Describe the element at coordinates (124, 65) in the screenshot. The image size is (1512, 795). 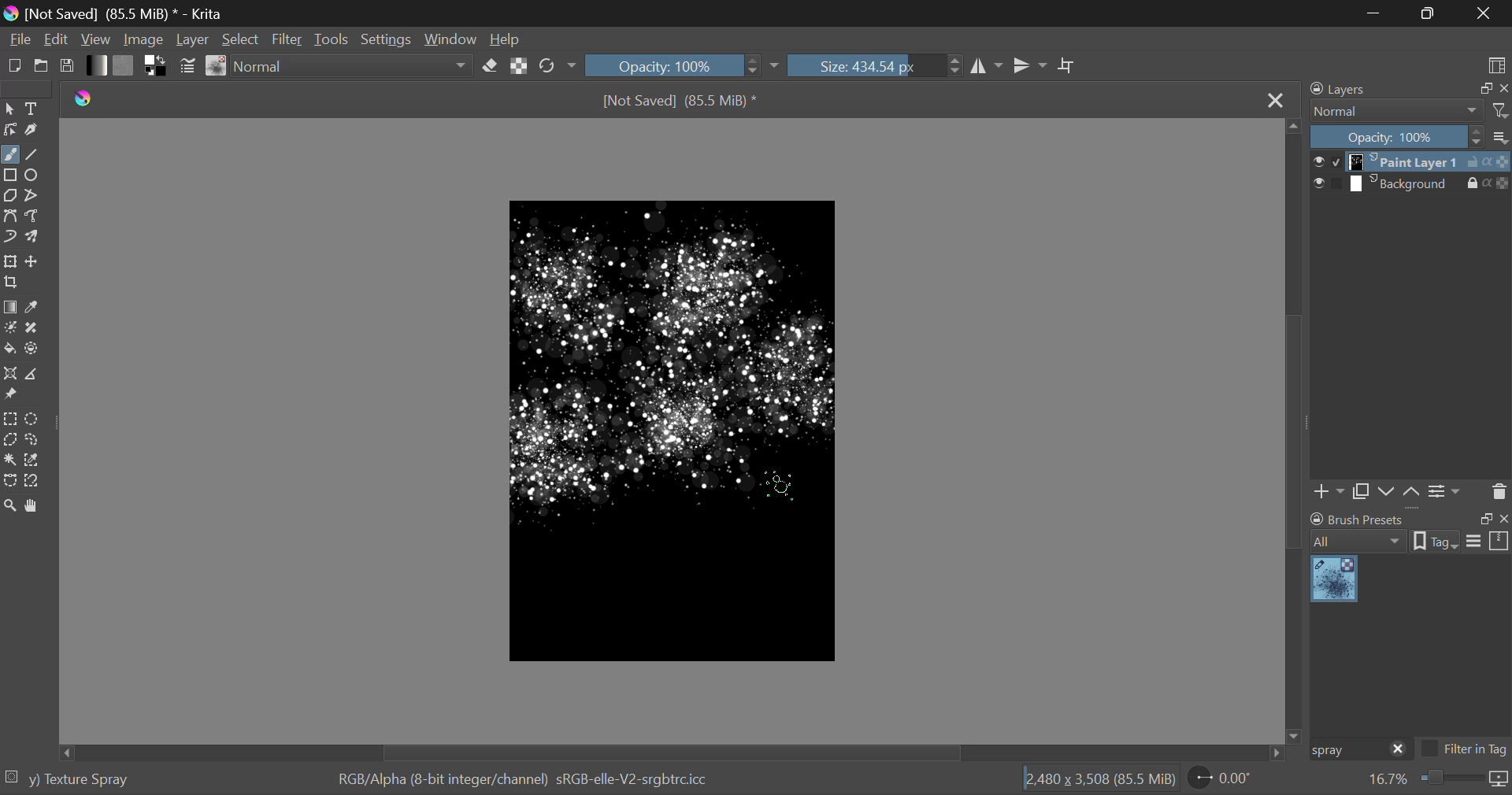
I see `Pattern` at that location.